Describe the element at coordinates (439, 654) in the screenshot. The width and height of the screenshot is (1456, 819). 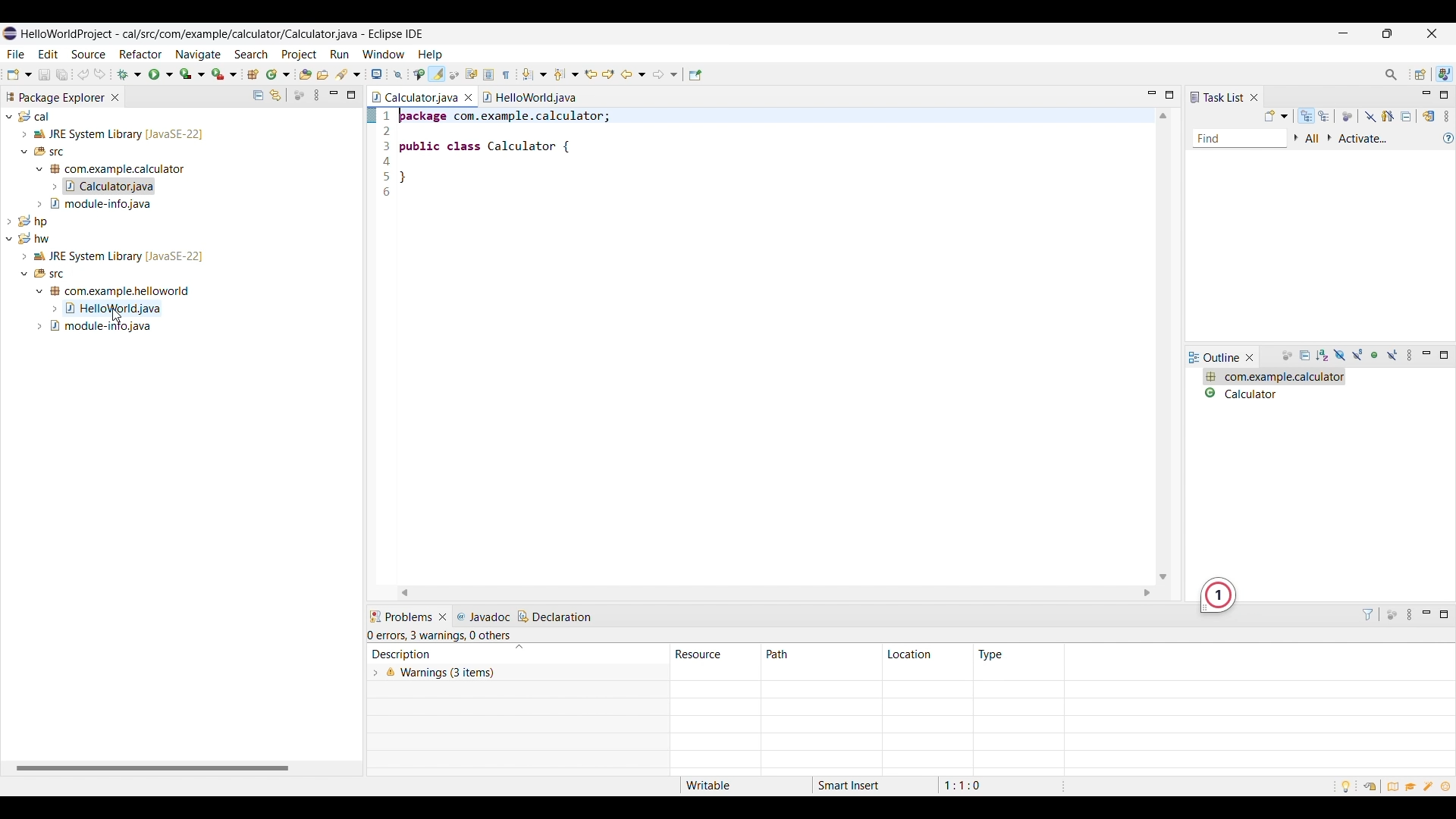
I see `Description` at that location.